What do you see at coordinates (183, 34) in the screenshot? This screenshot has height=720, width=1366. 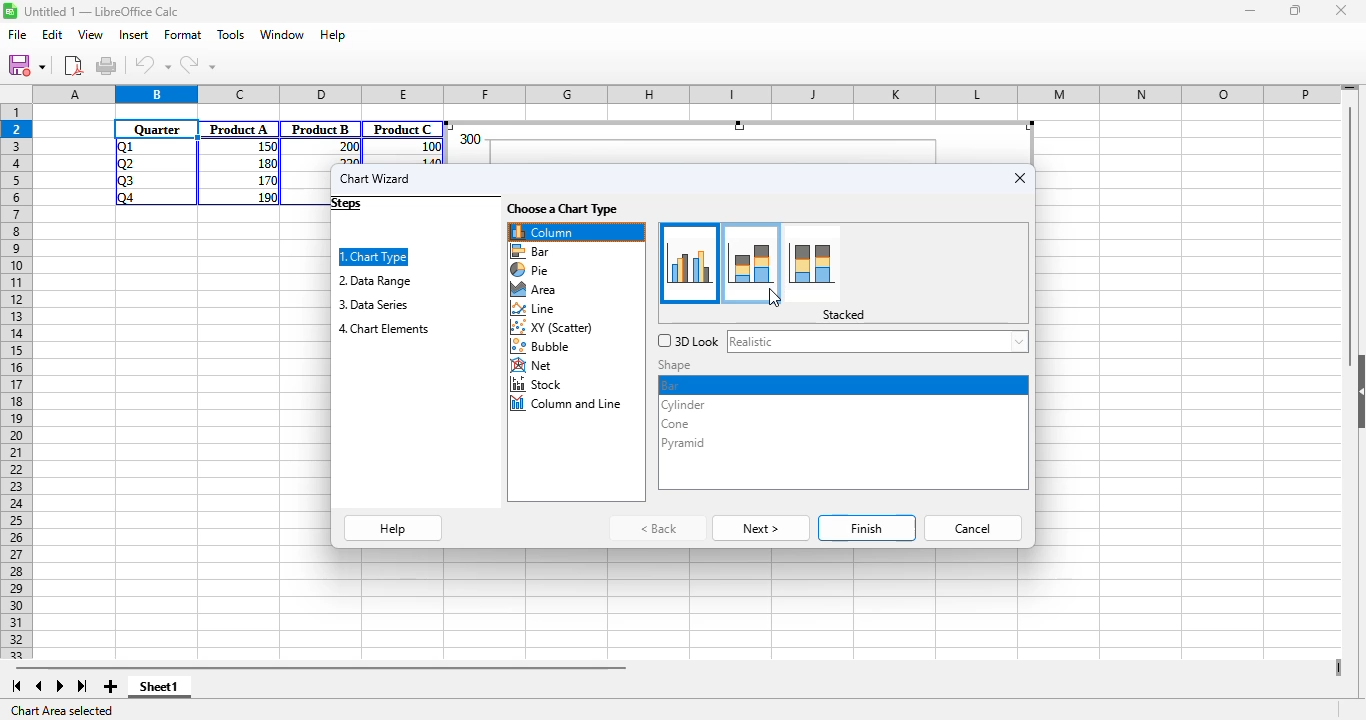 I see `format` at bounding box center [183, 34].